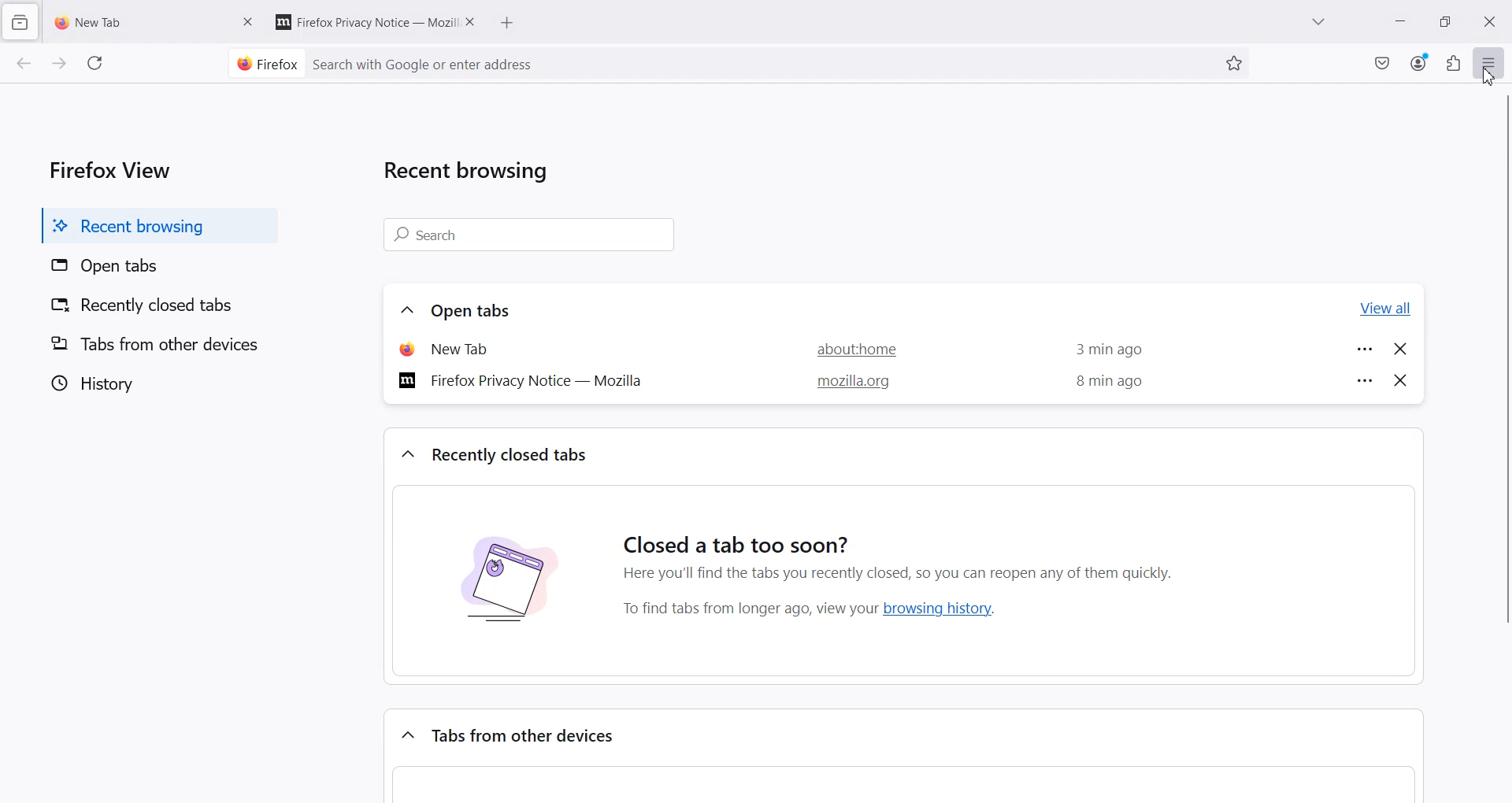  I want to click on Tabs from other devices, so click(154, 343).